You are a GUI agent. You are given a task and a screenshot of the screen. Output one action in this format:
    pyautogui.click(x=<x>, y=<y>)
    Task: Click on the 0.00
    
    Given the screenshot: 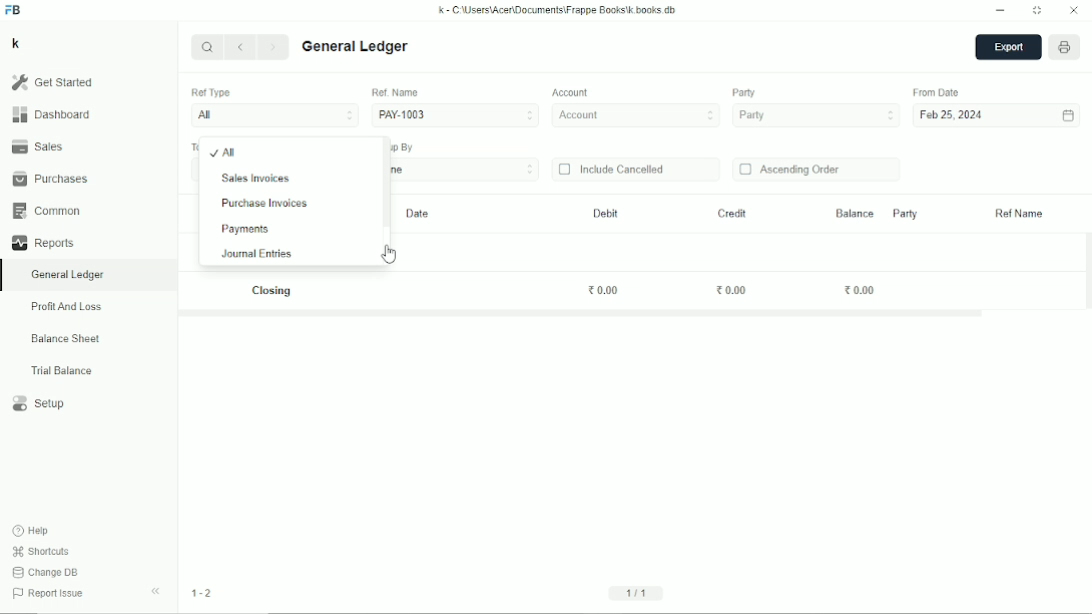 What is the action you would take?
    pyautogui.click(x=605, y=290)
    